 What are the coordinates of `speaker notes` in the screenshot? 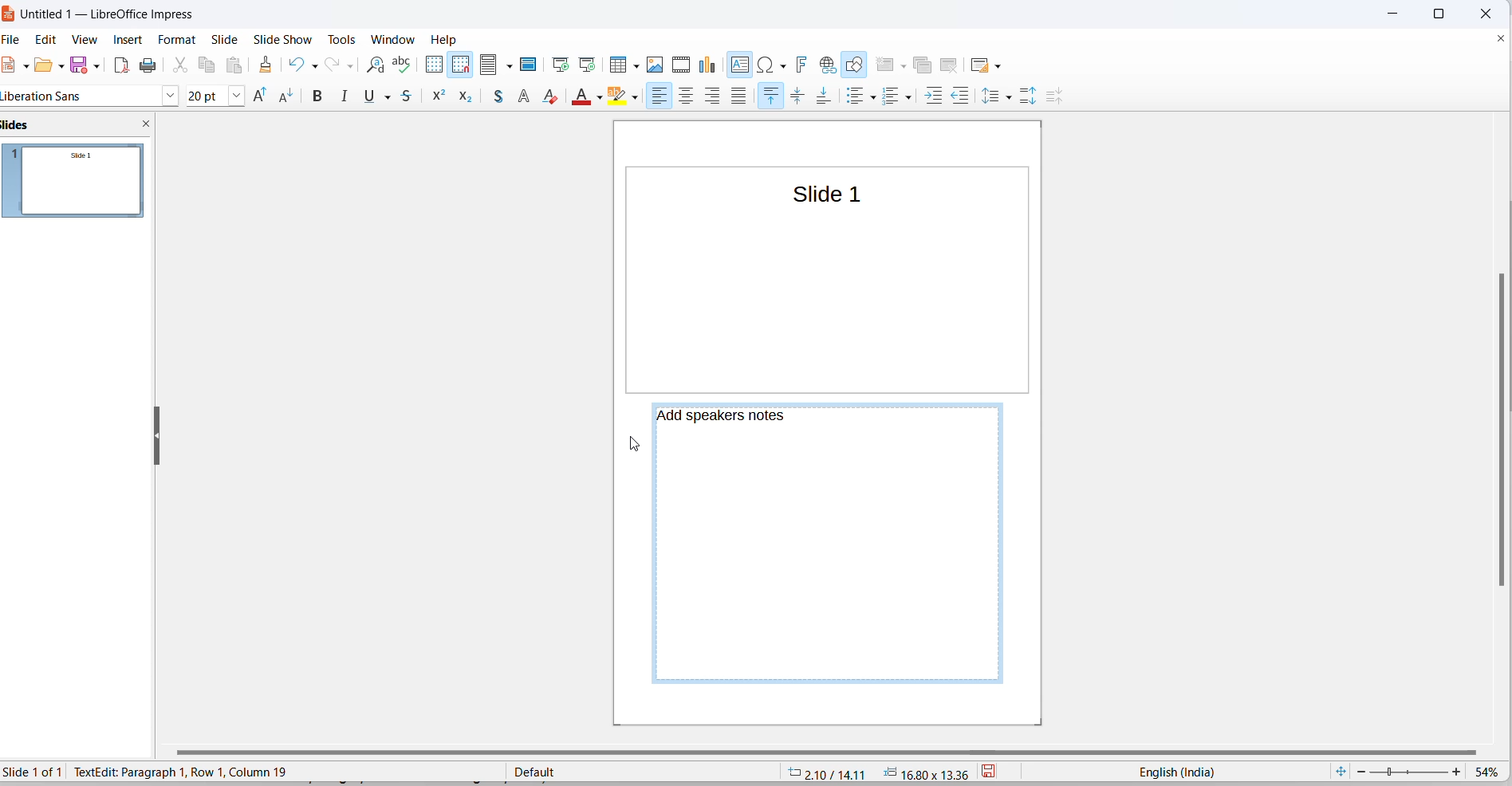 It's located at (726, 417).